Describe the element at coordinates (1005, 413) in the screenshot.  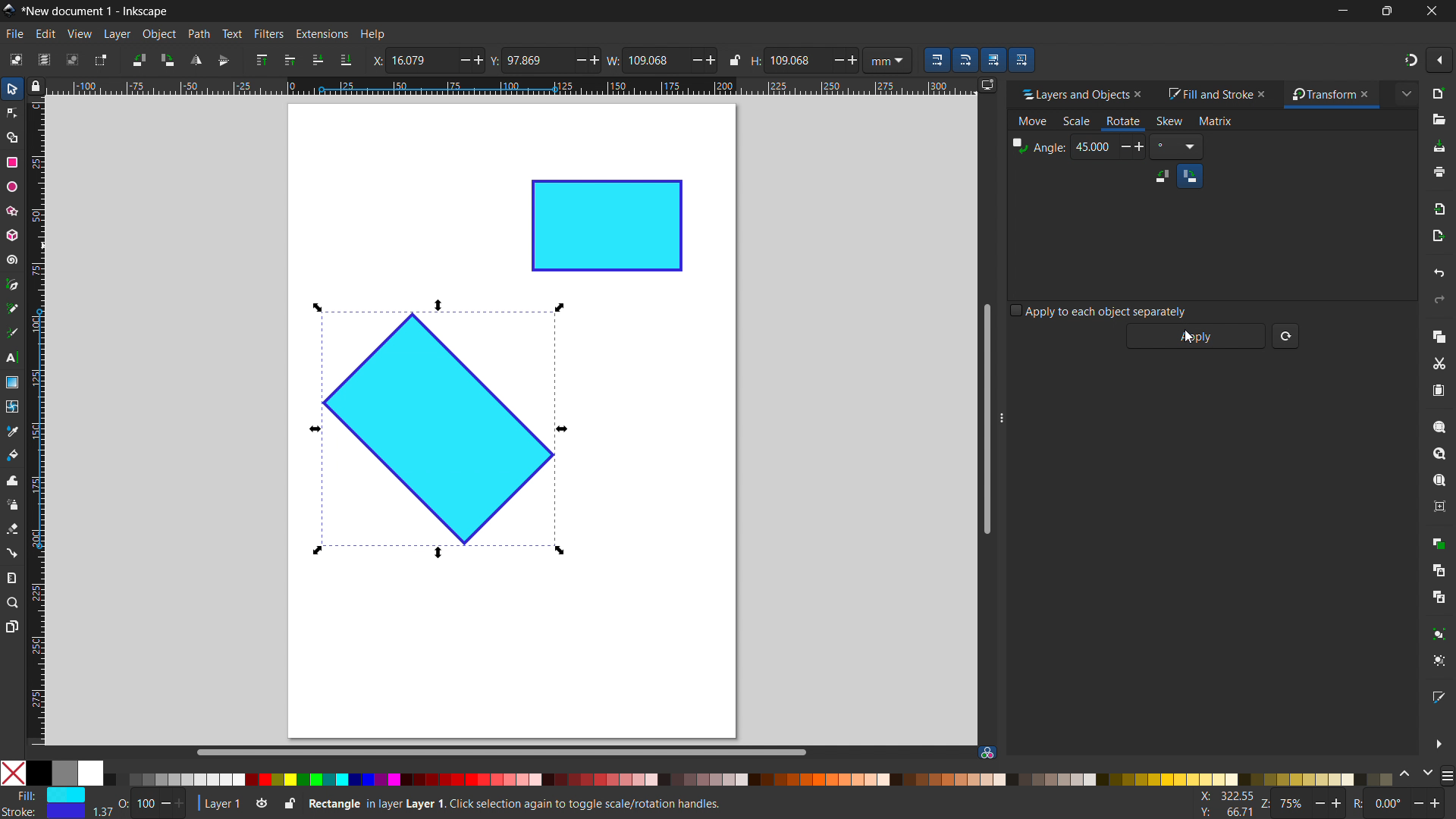
I see `resize` at that location.